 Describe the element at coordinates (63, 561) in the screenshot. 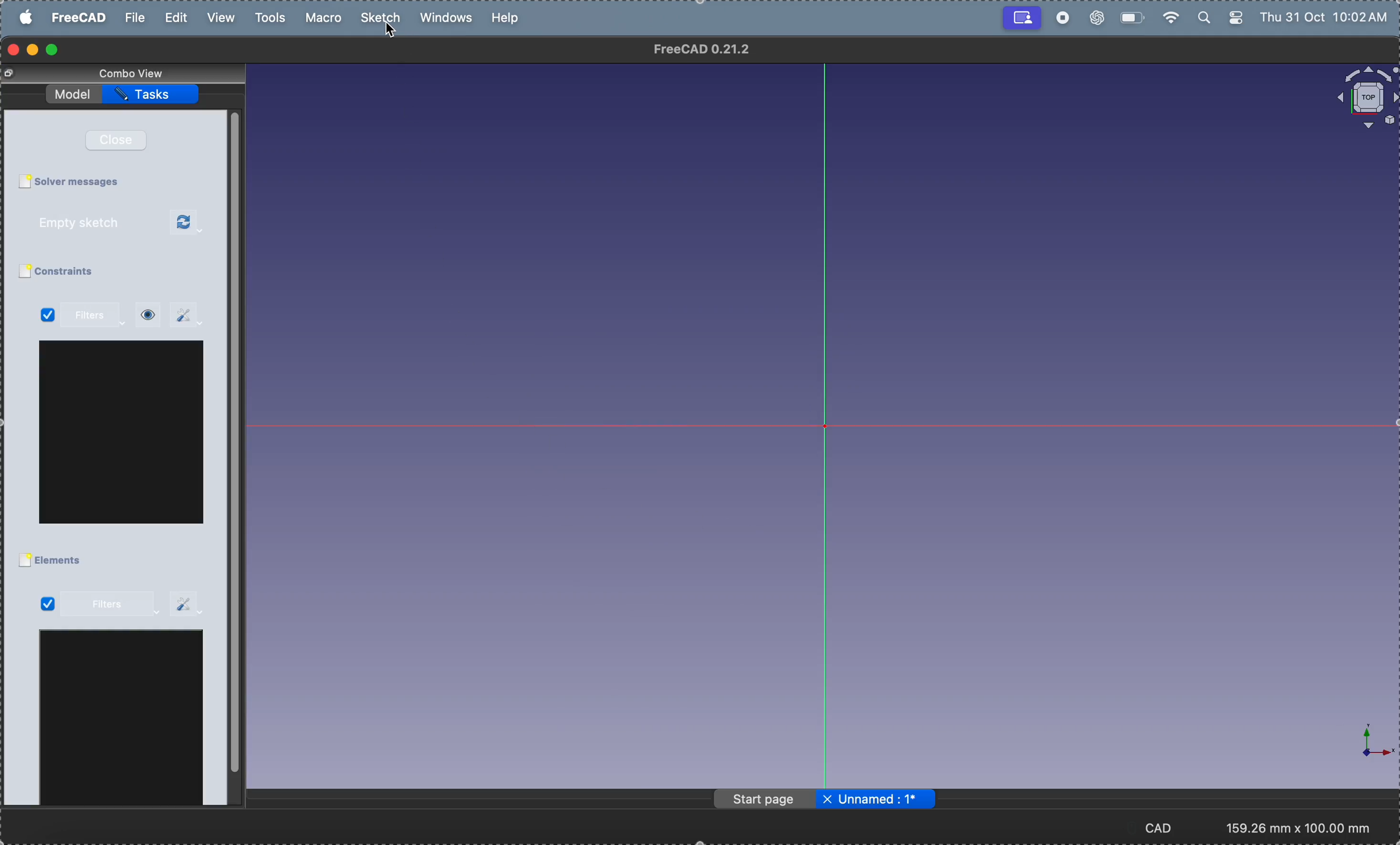

I see `elements` at that location.